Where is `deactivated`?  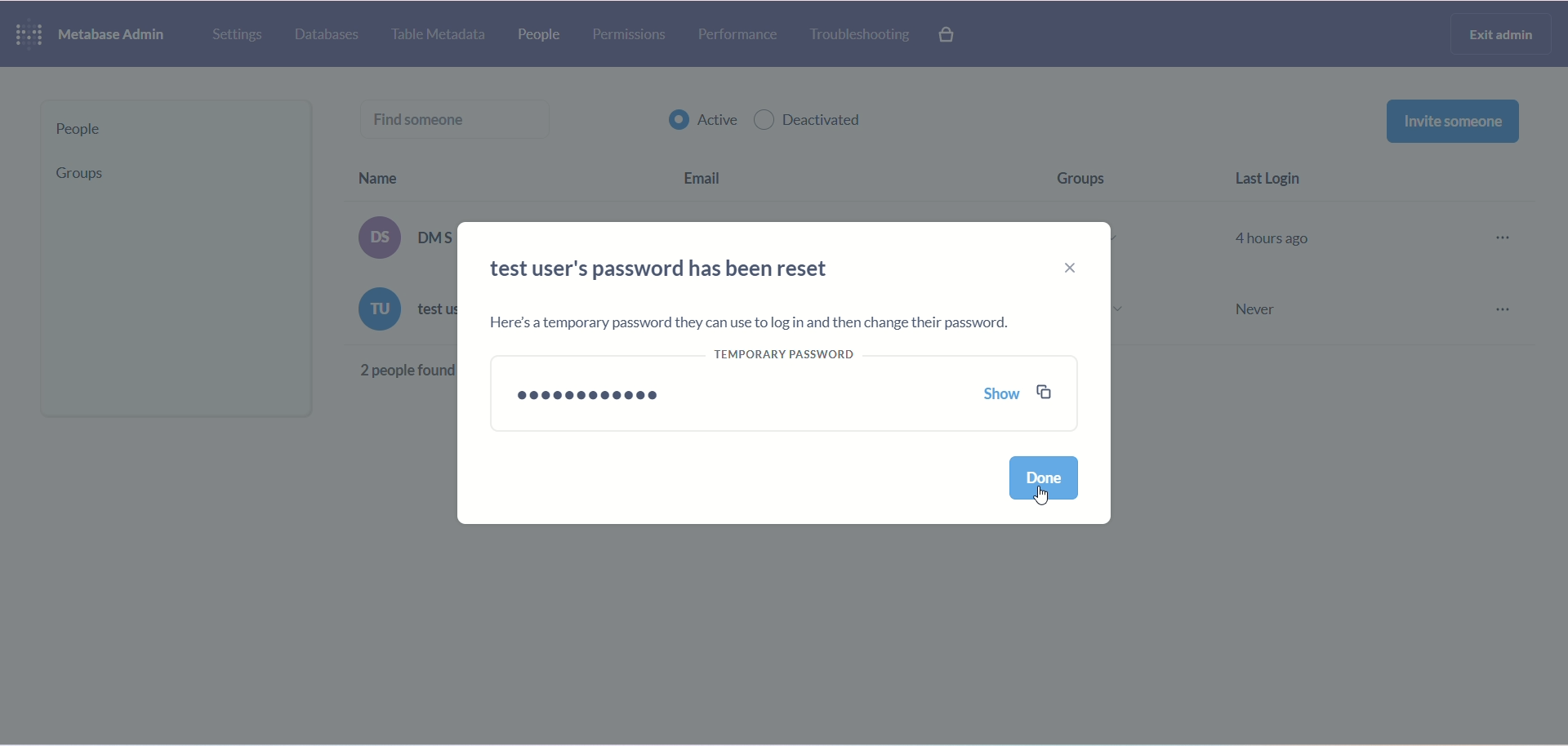 deactivated is located at coordinates (812, 121).